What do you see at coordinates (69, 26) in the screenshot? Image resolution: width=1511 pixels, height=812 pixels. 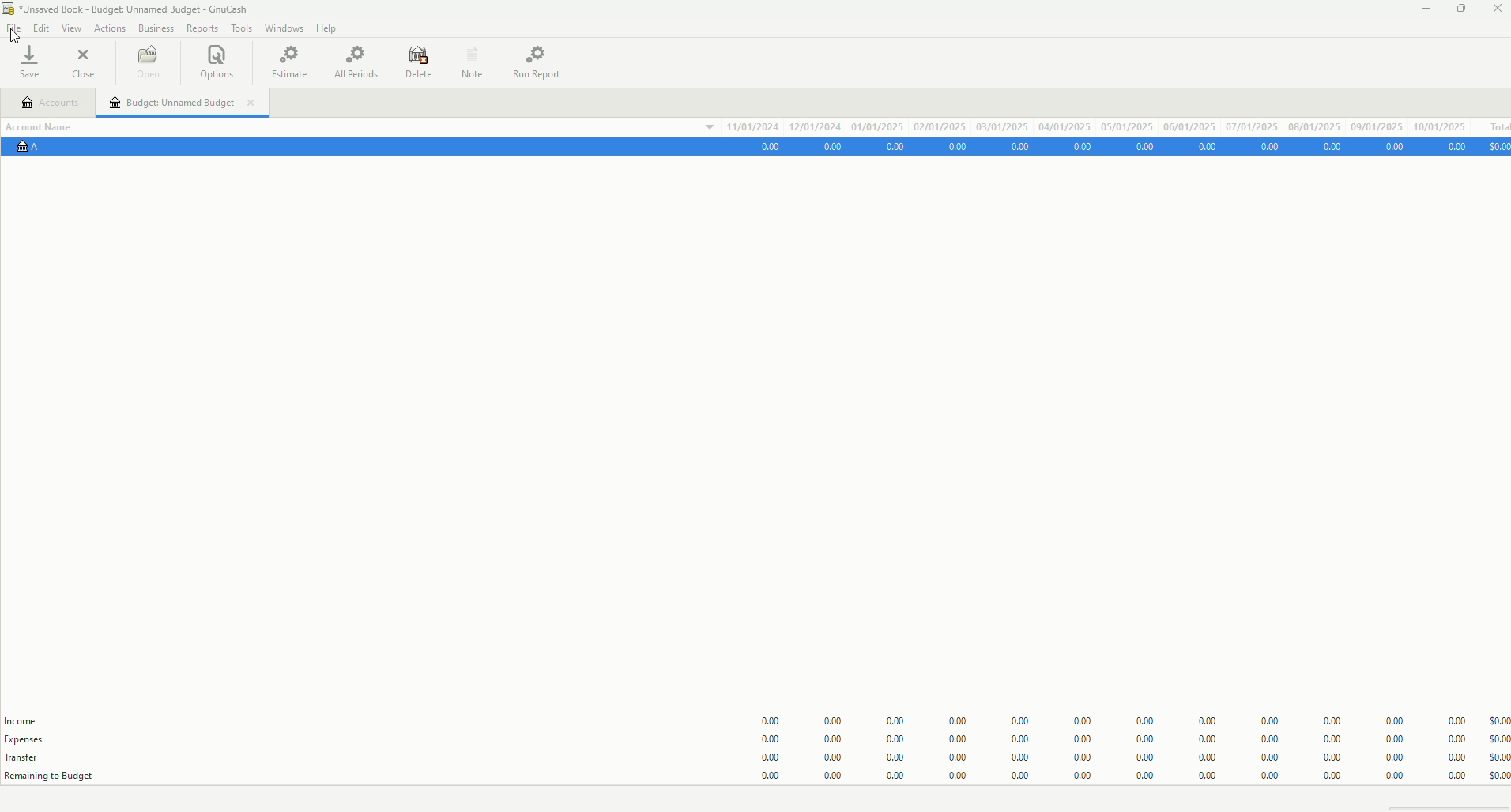 I see `View` at bounding box center [69, 26].